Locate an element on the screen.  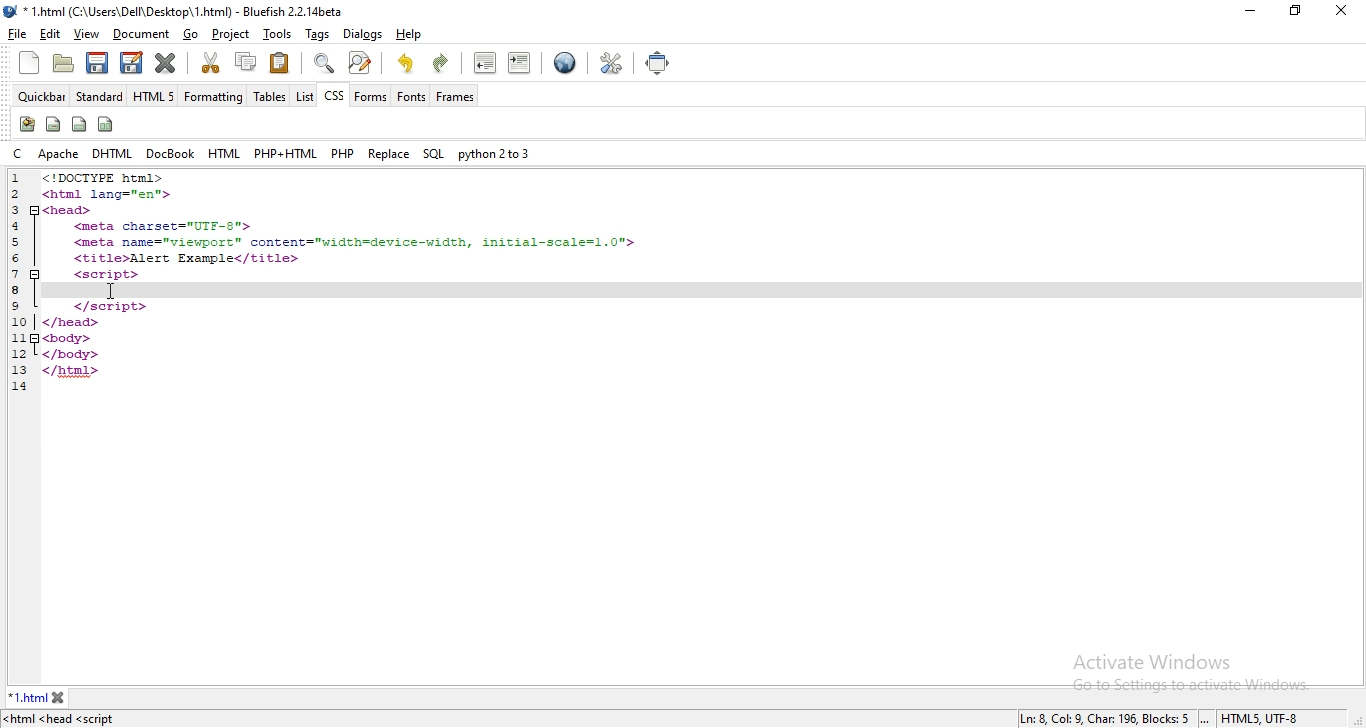
sql is located at coordinates (433, 154).